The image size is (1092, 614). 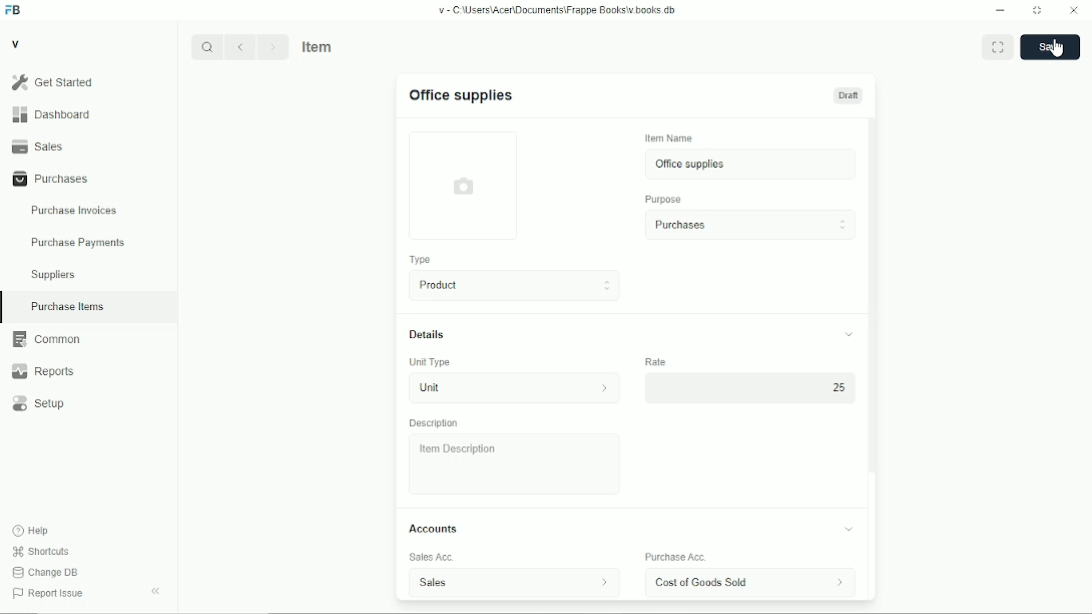 What do you see at coordinates (465, 185) in the screenshot?
I see `photo upload field` at bounding box center [465, 185].